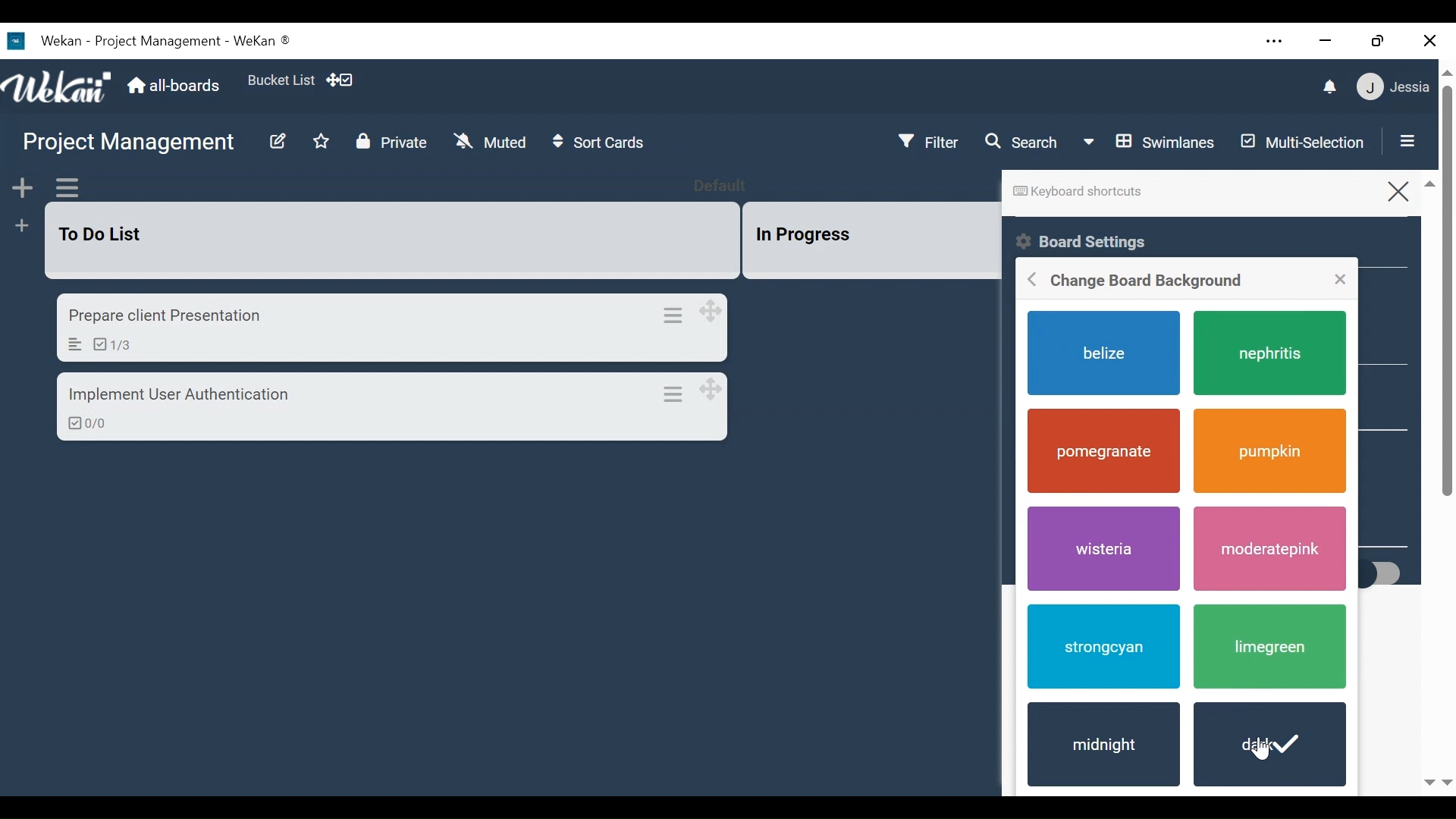 The width and height of the screenshot is (1456, 819). Describe the element at coordinates (20, 227) in the screenshot. I see `Add List` at that location.